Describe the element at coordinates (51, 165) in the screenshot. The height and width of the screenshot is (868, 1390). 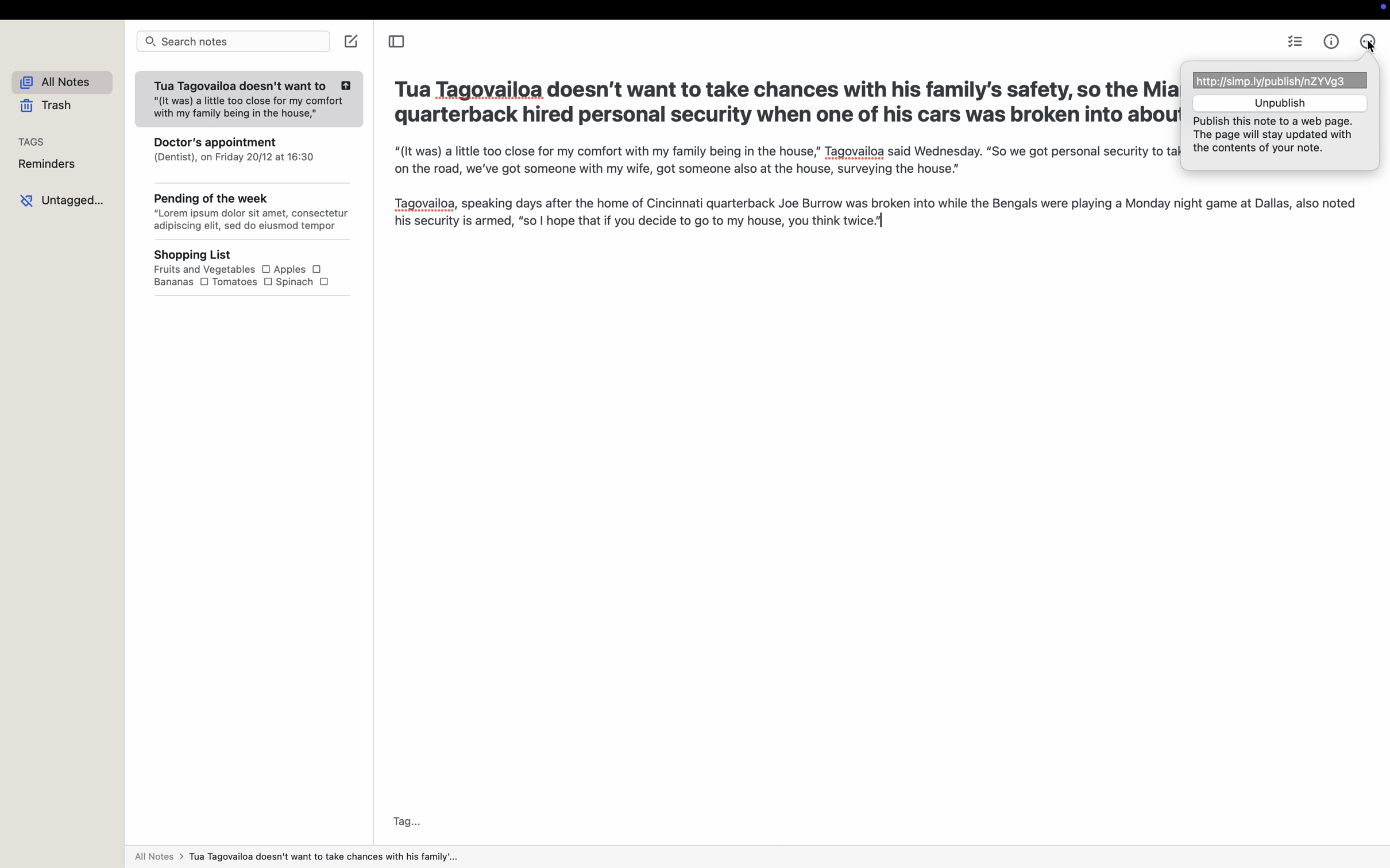
I see `reminders` at that location.